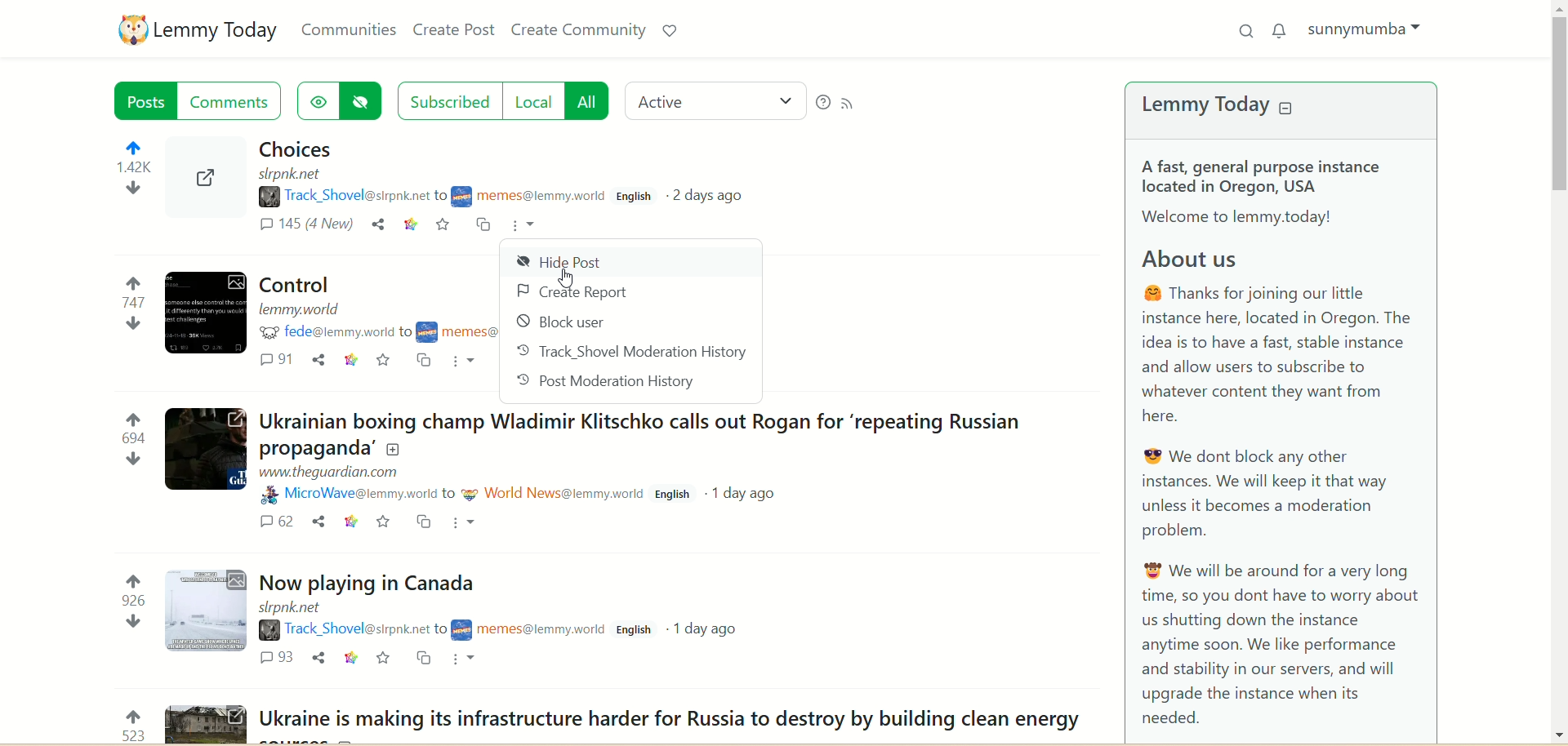  What do you see at coordinates (207, 611) in the screenshot?
I see `Expand the post with image details` at bounding box center [207, 611].